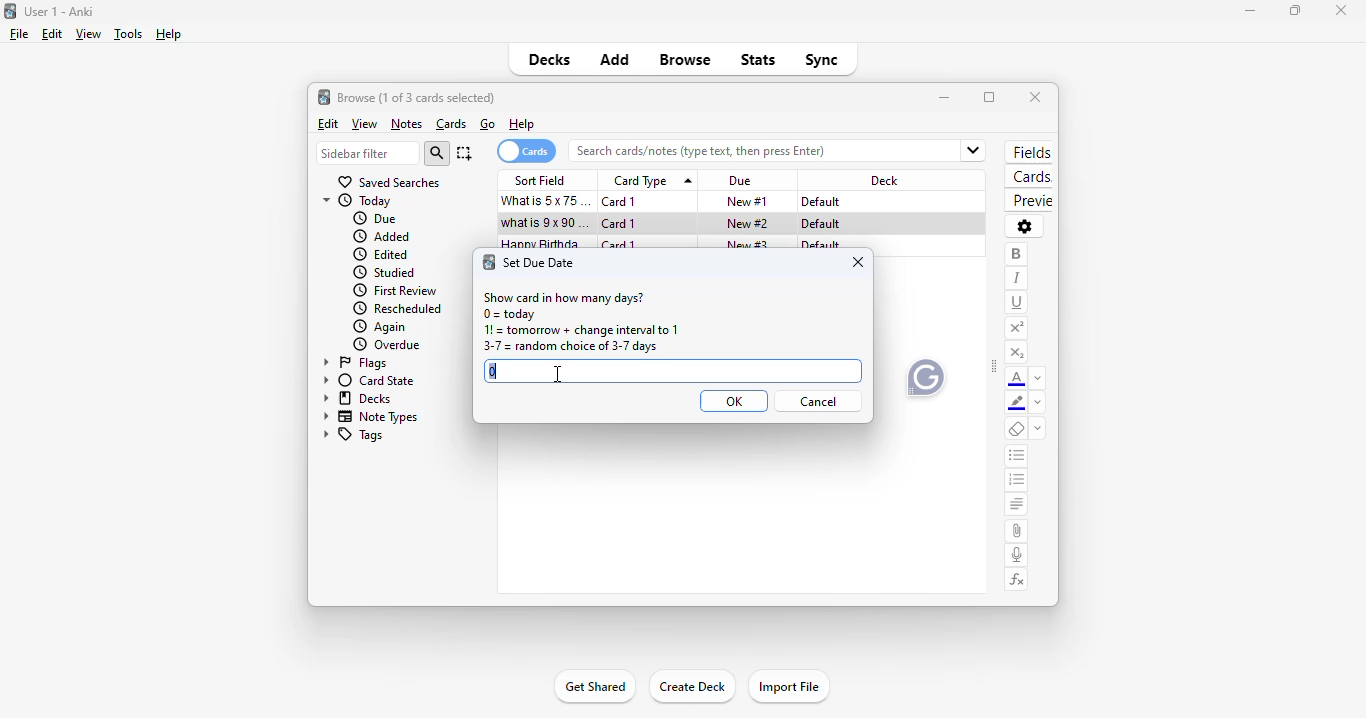 This screenshot has width=1366, height=718. What do you see at coordinates (543, 180) in the screenshot?
I see `sort field` at bounding box center [543, 180].